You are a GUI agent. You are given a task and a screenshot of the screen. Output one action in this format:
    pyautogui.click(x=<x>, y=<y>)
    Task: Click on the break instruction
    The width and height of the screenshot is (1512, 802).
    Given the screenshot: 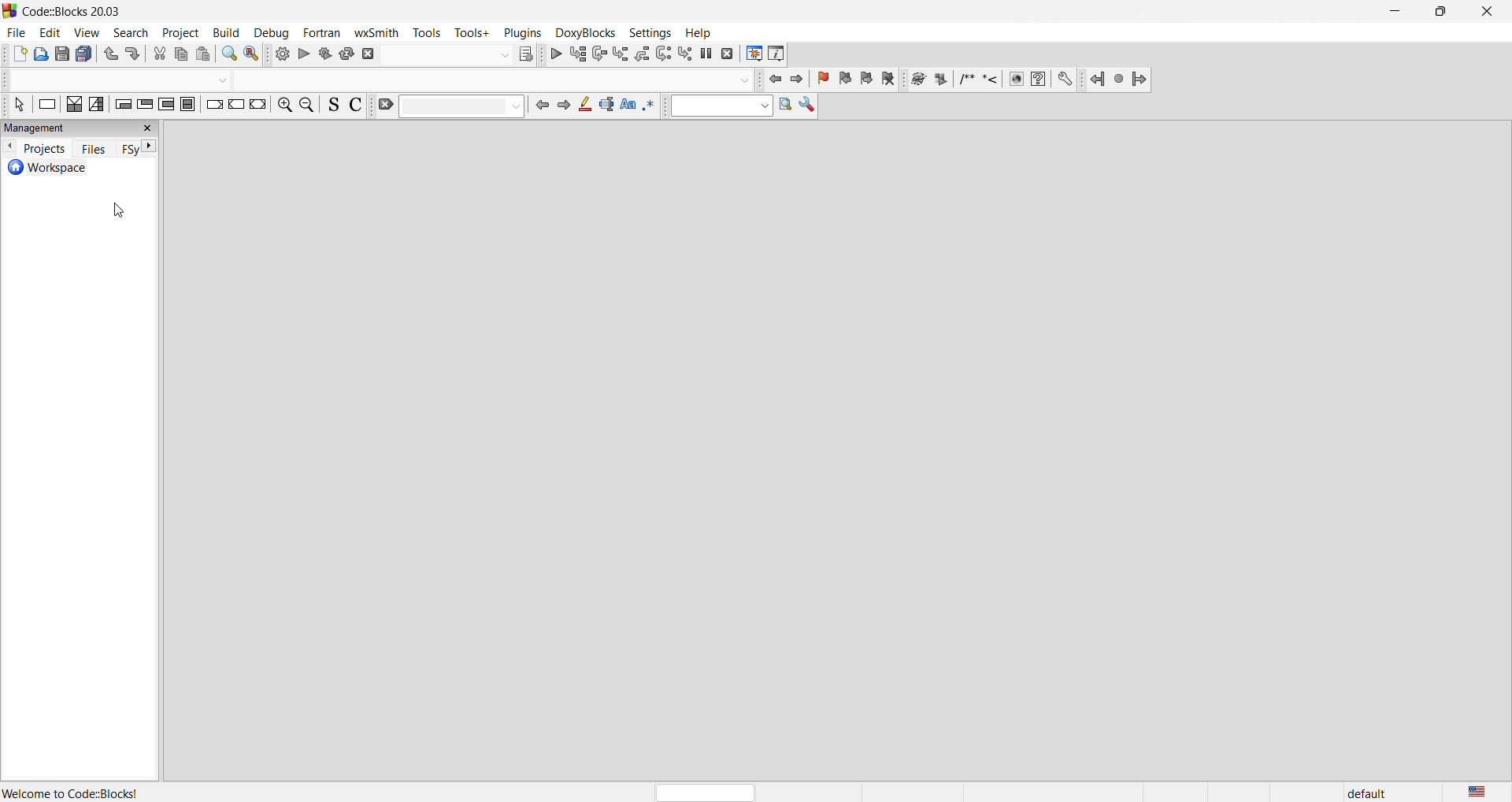 What is the action you would take?
    pyautogui.click(x=213, y=107)
    